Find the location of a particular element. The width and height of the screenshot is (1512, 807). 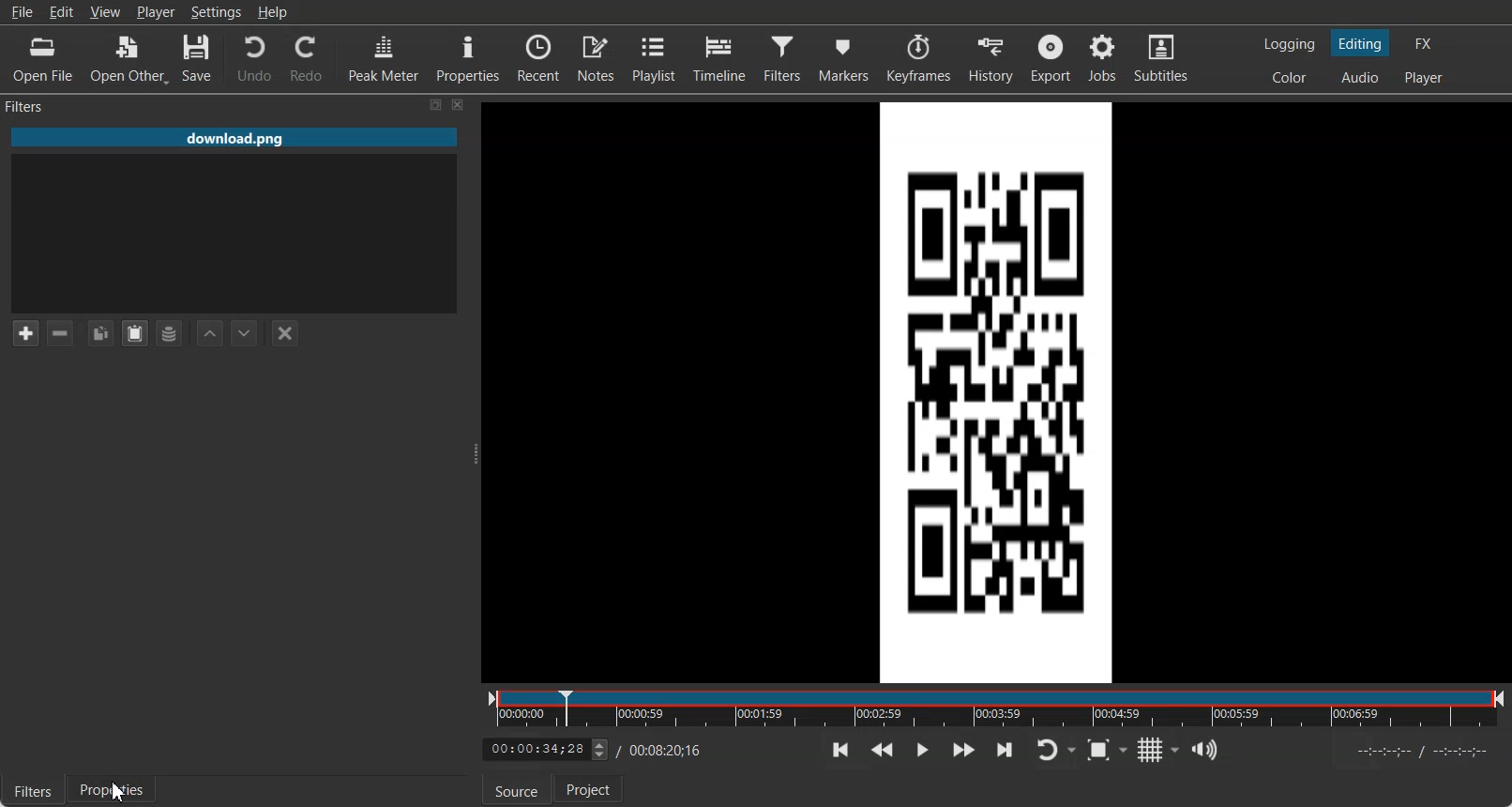

Markers is located at coordinates (843, 58).